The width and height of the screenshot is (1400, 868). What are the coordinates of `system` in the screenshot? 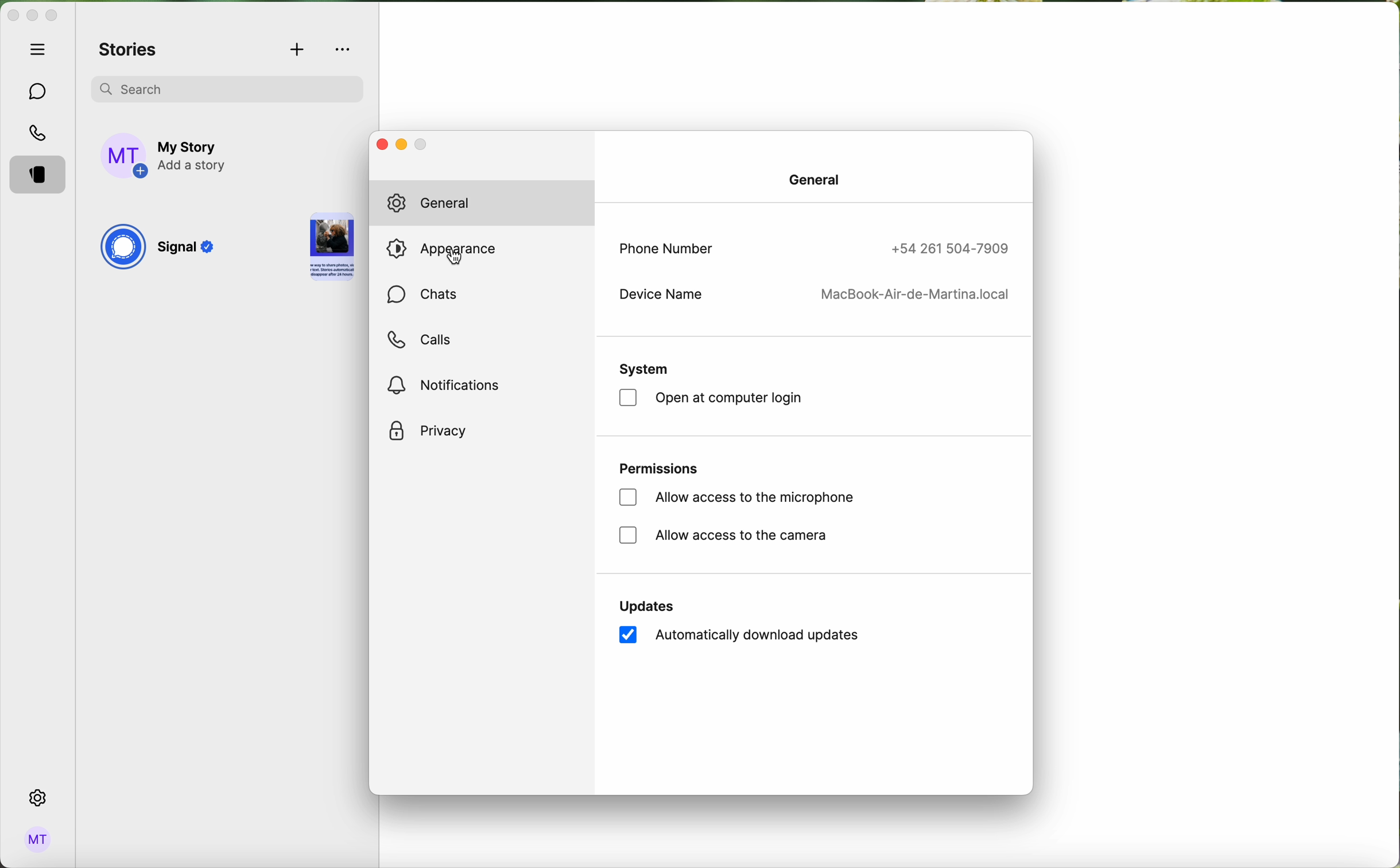 It's located at (646, 369).